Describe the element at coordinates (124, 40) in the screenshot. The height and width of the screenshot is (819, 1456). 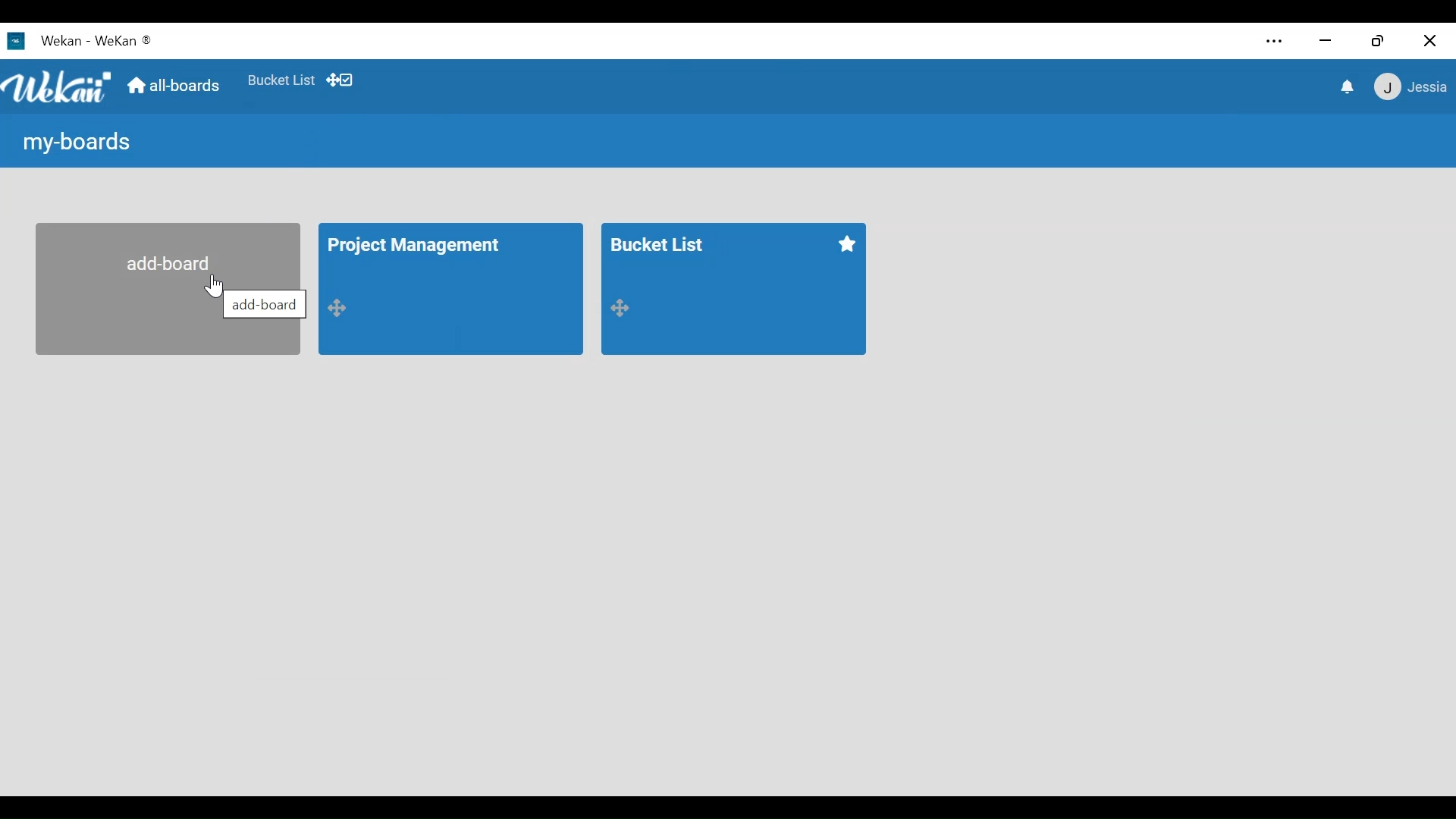
I see `Wekan` at that location.